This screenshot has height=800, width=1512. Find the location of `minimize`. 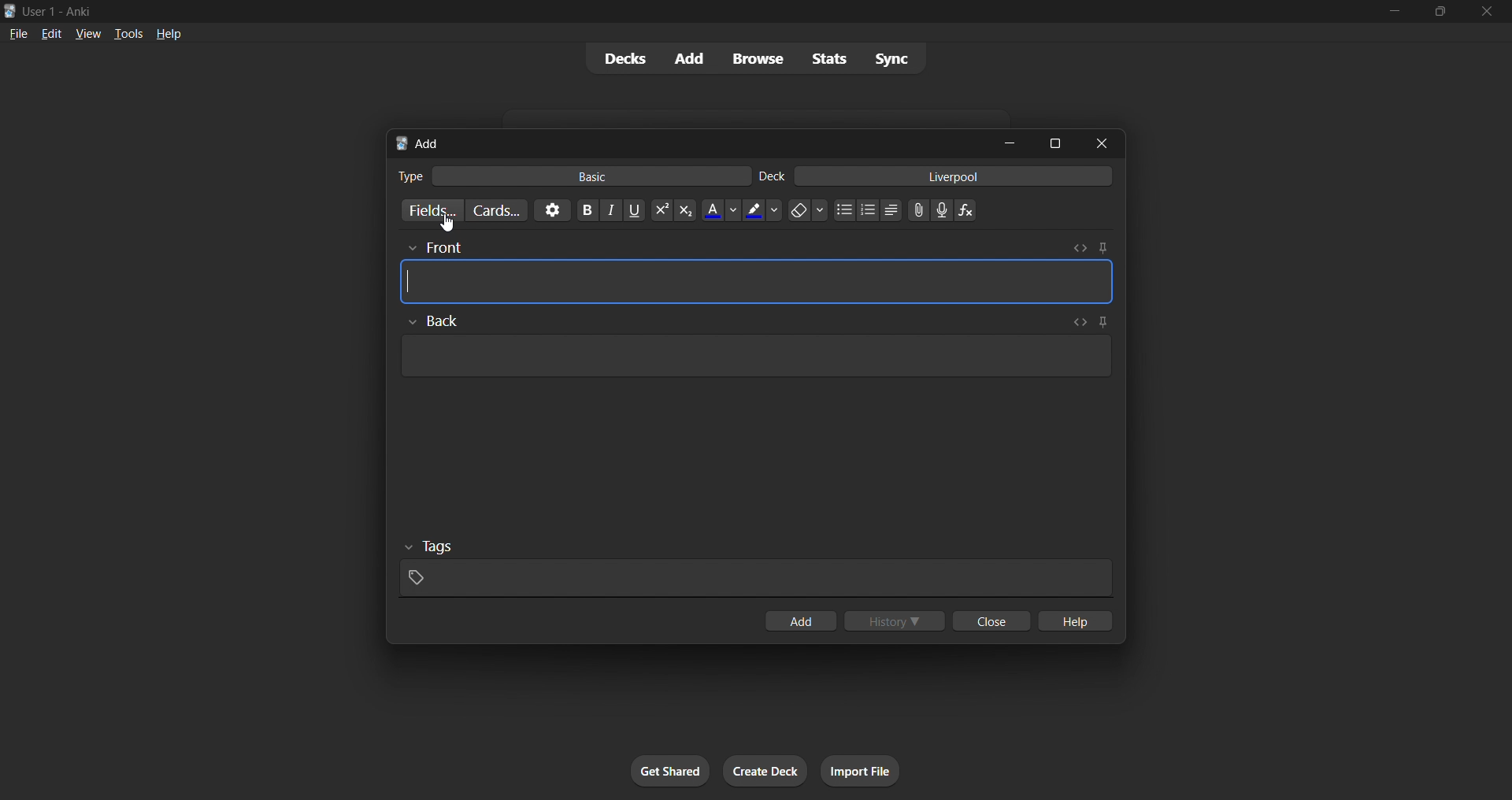

minimize is located at coordinates (1394, 12).